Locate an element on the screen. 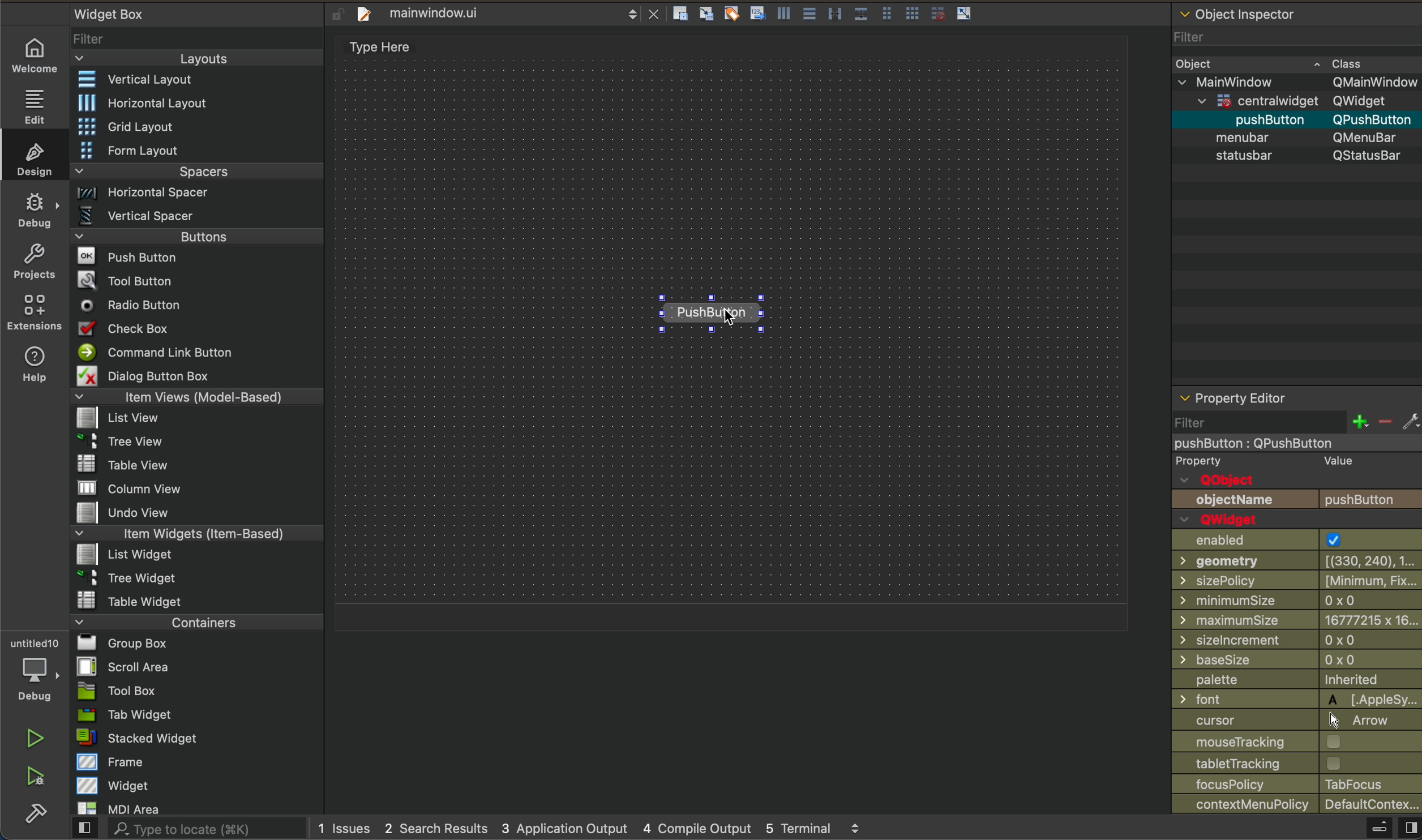  close sidebar is located at coordinates (1385, 828).